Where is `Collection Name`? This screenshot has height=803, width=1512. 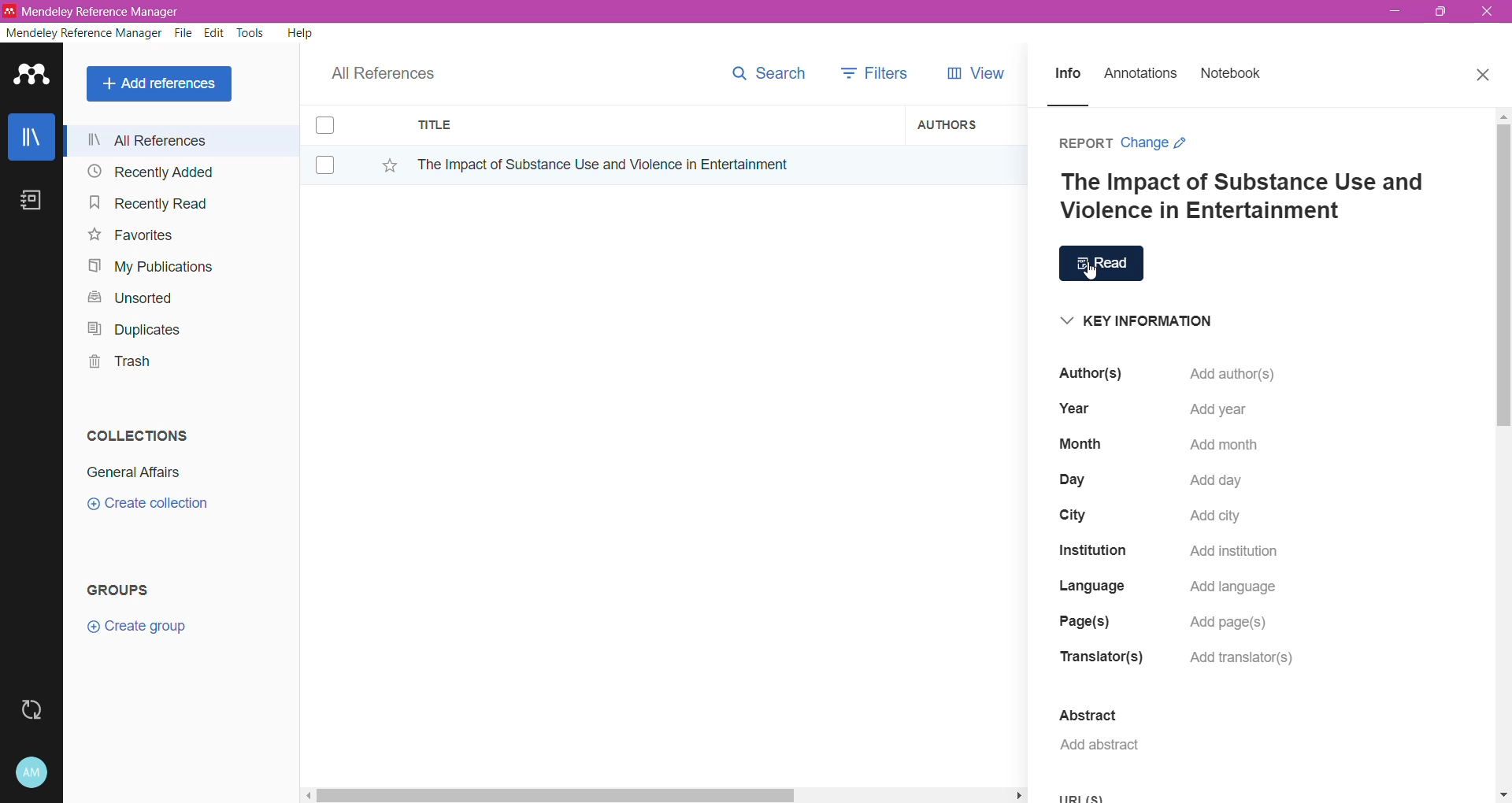 Collection Name is located at coordinates (132, 472).